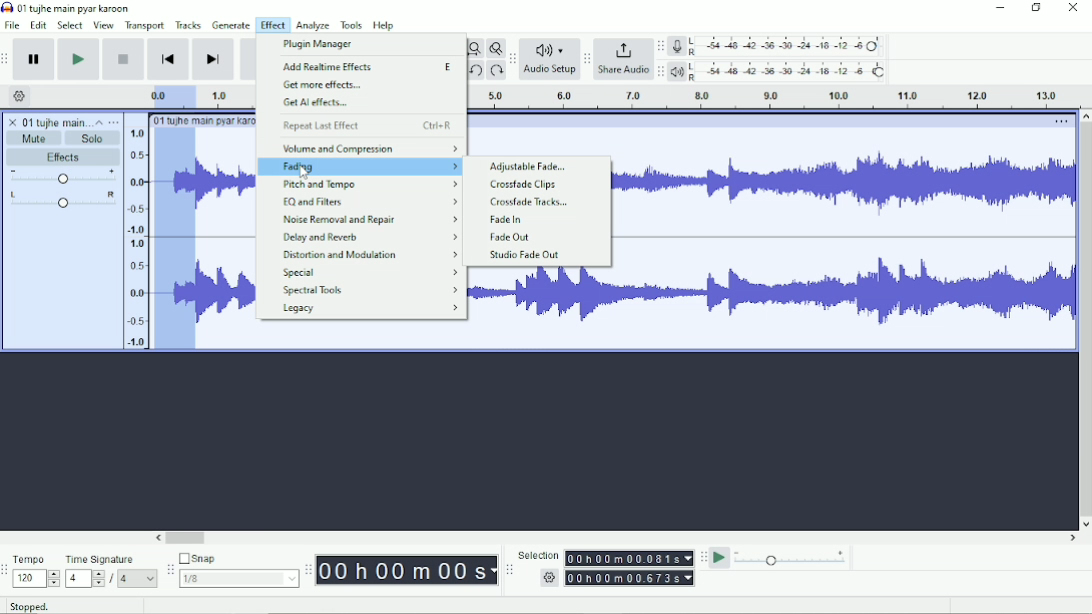 This screenshot has height=614, width=1092. What do you see at coordinates (526, 185) in the screenshot?
I see `Crossfade Clips` at bounding box center [526, 185].